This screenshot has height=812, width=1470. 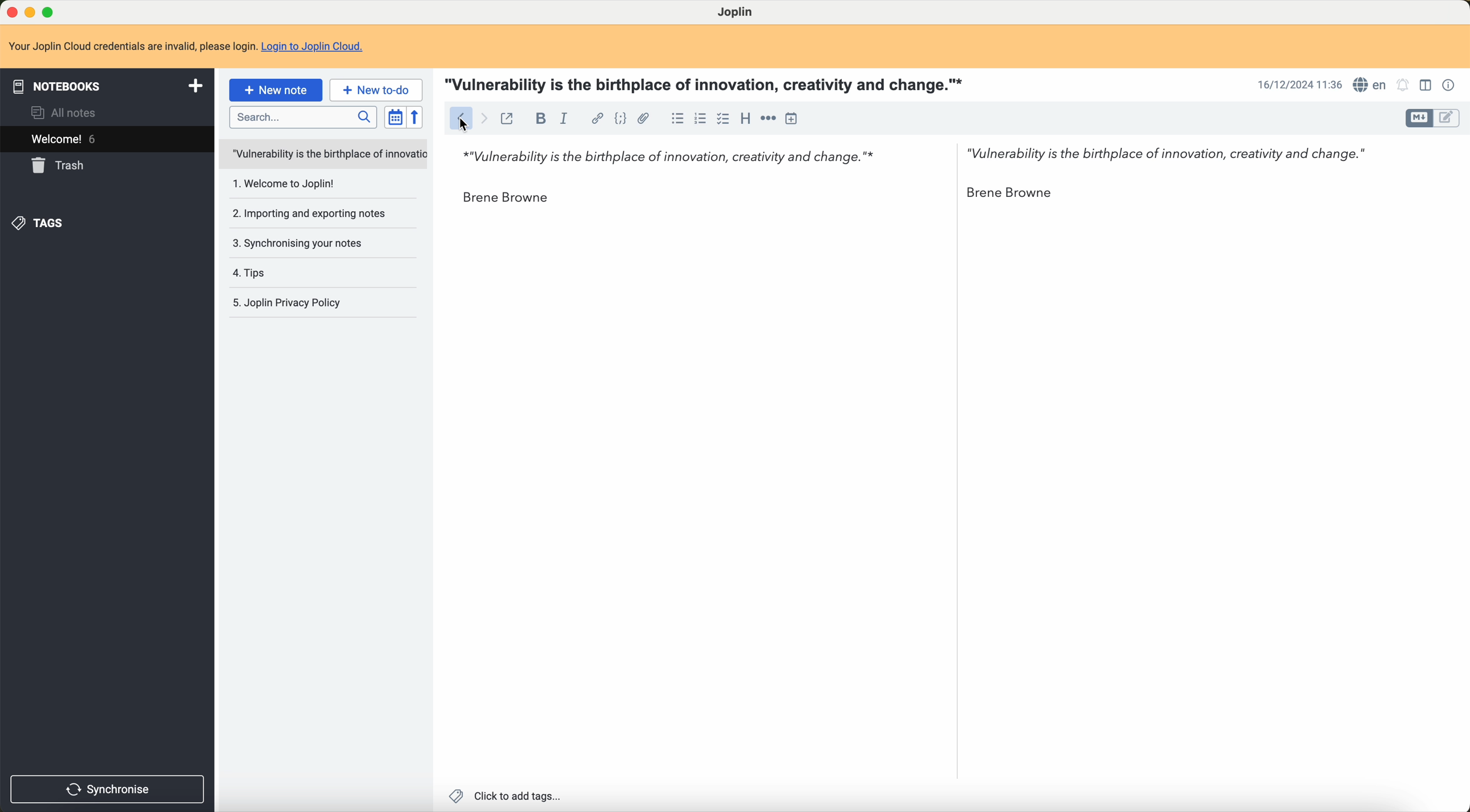 What do you see at coordinates (256, 271) in the screenshot?
I see `tips` at bounding box center [256, 271].